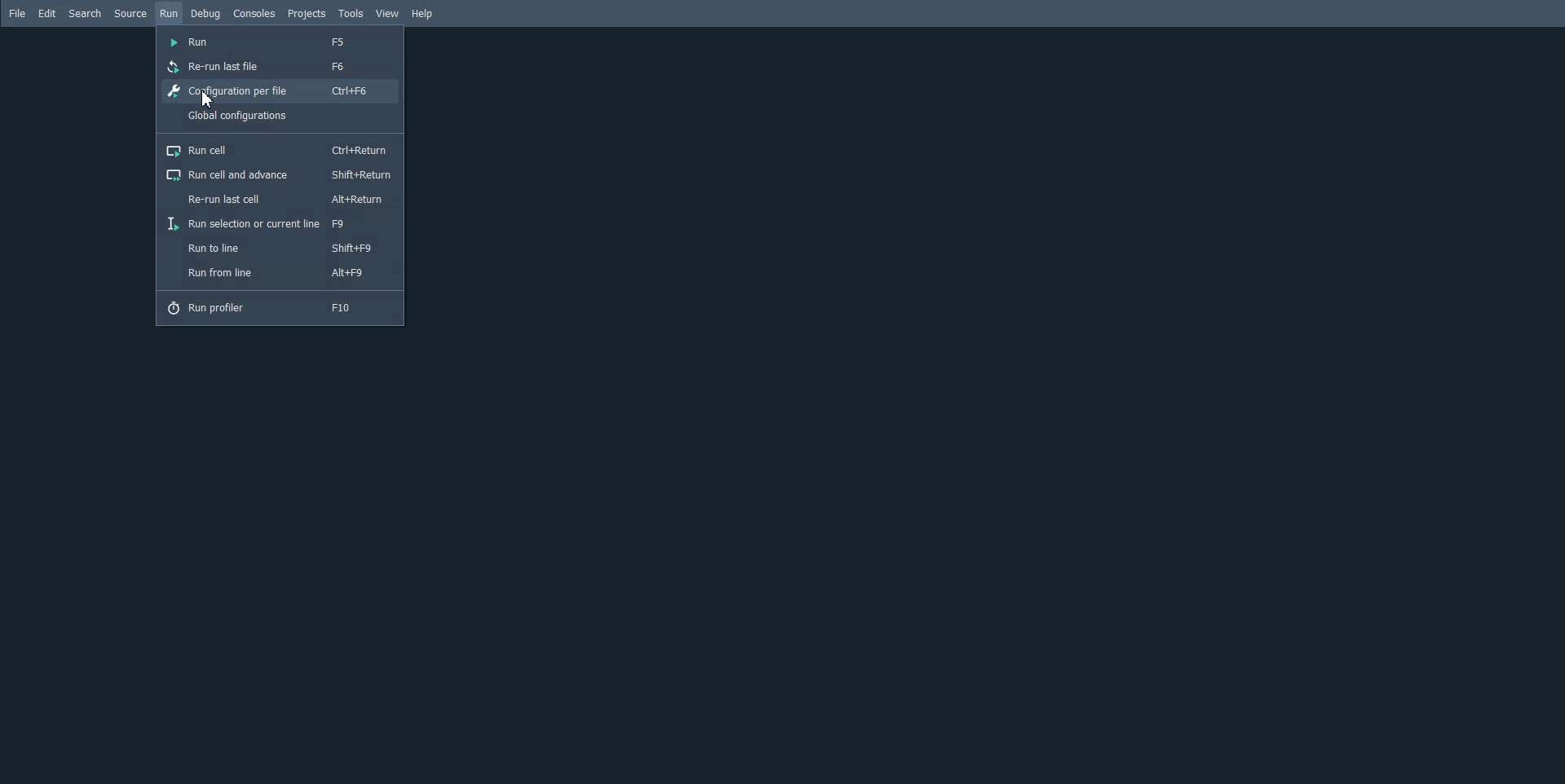 The height and width of the screenshot is (784, 1565). What do you see at coordinates (130, 14) in the screenshot?
I see `Source` at bounding box center [130, 14].